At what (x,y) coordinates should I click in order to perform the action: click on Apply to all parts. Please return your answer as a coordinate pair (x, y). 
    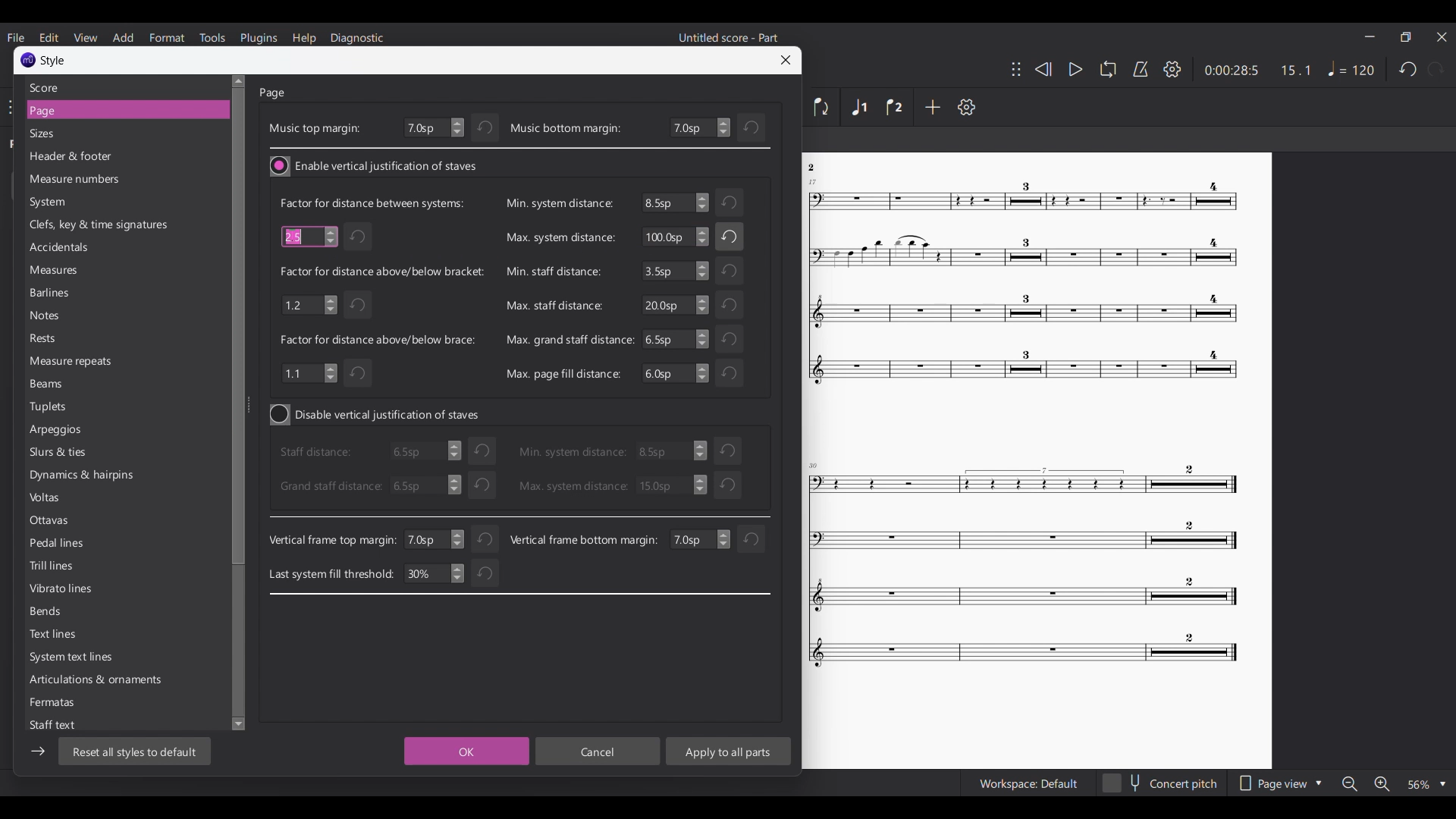
    Looking at the image, I should click on (728, 751).